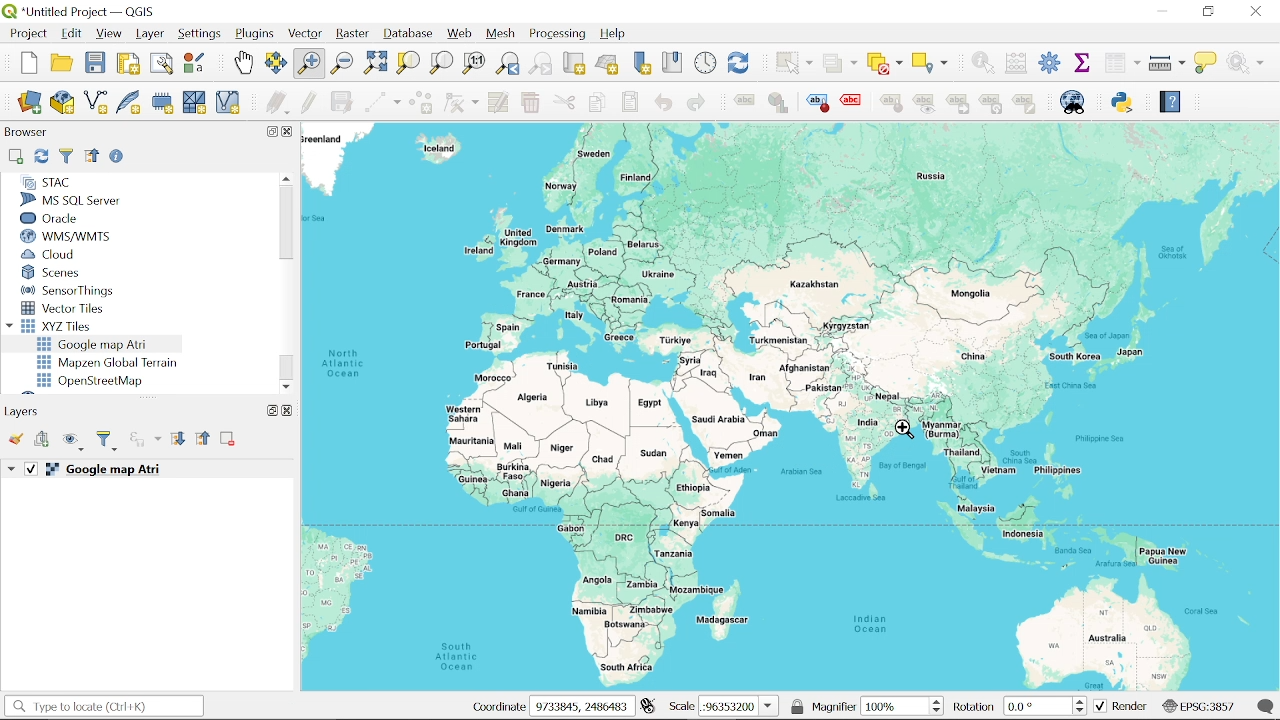 This screenshot has width=1280, height=720. What do you see at coordinates (201, 34) in the screenshot?
I see `Settings` at bounding box center [201, 34].